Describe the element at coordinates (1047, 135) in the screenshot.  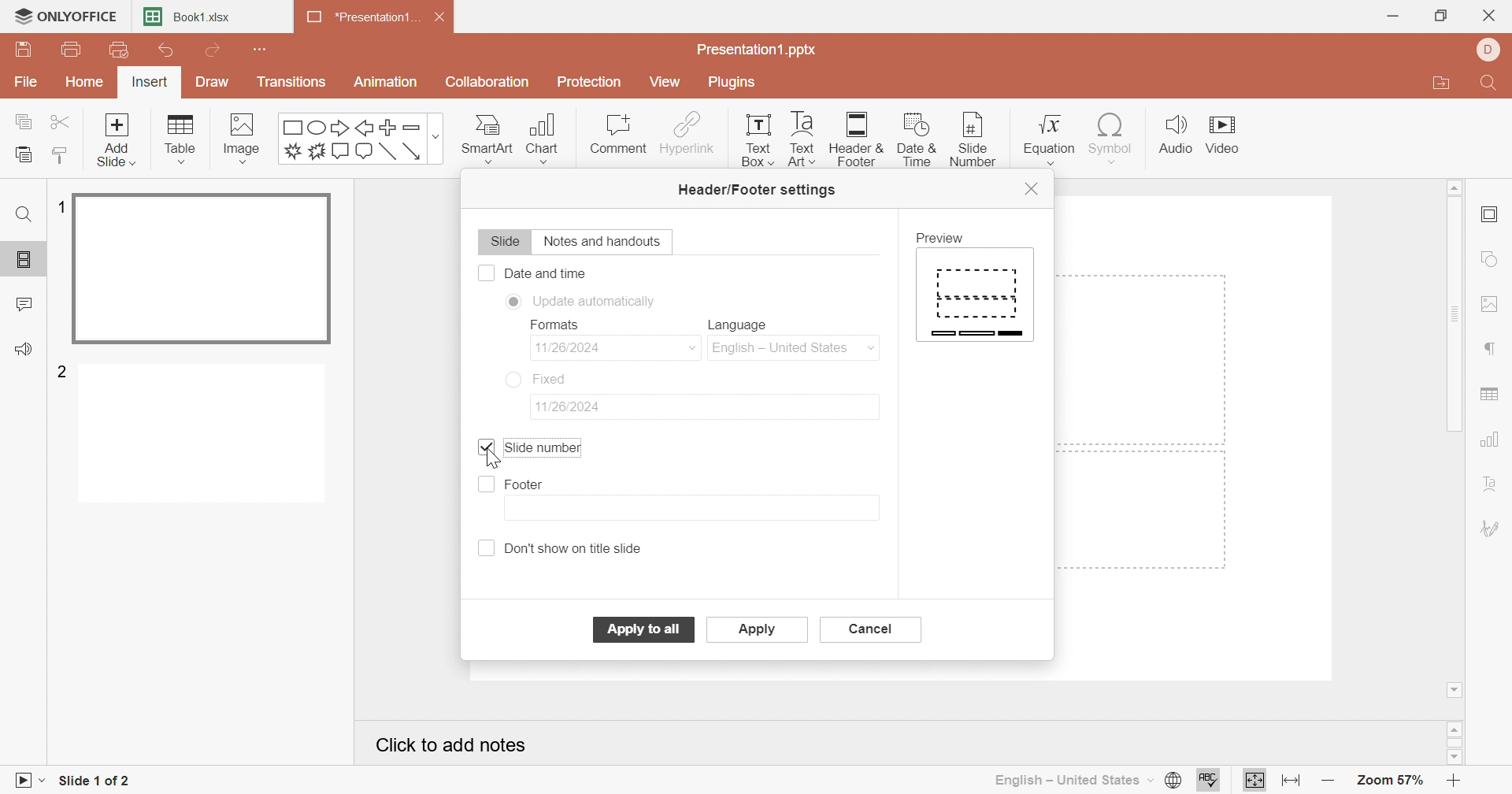
I see `Equation` at that location.